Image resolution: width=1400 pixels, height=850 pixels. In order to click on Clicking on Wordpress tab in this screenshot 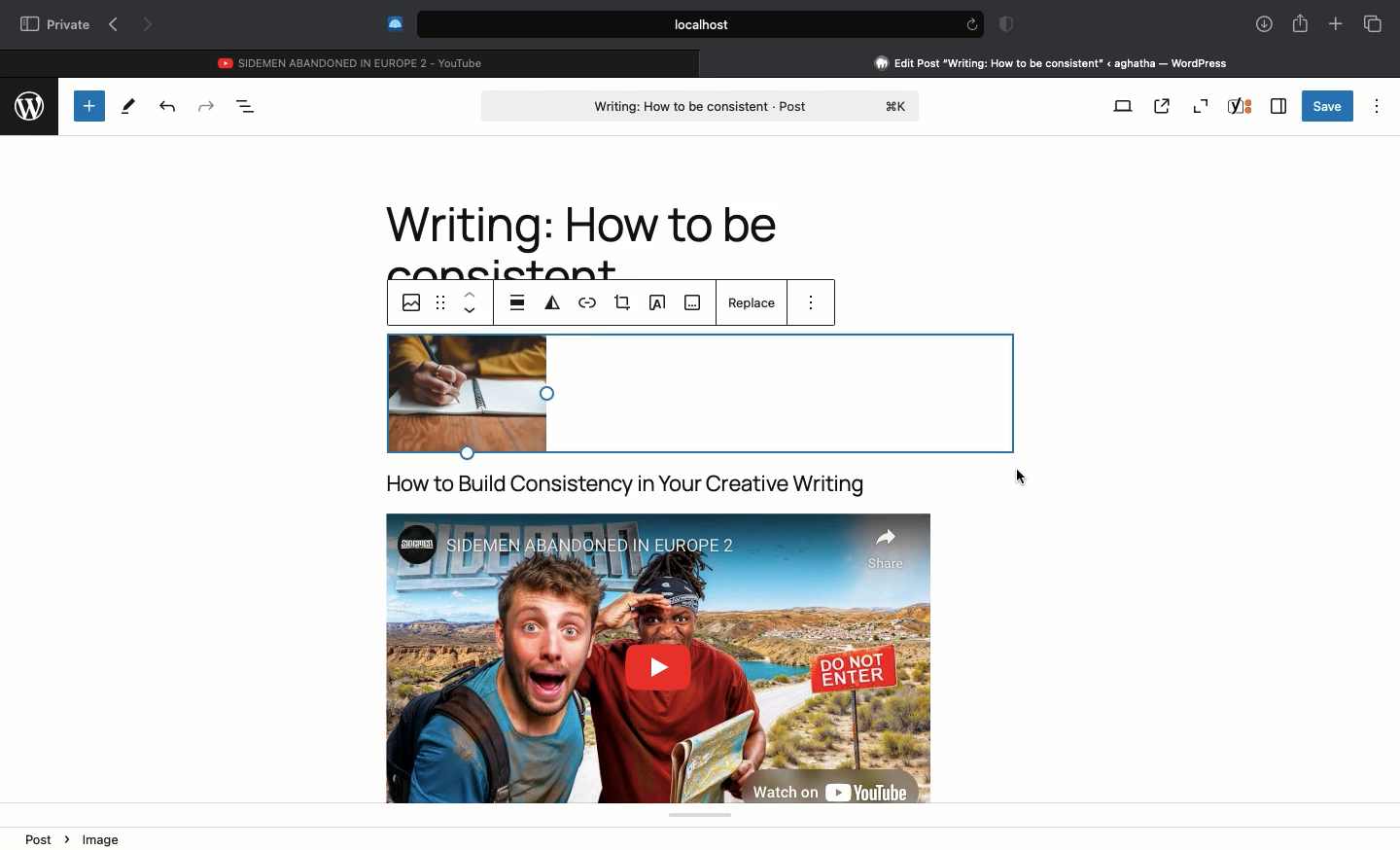, I will do `click(1052, 62)`.